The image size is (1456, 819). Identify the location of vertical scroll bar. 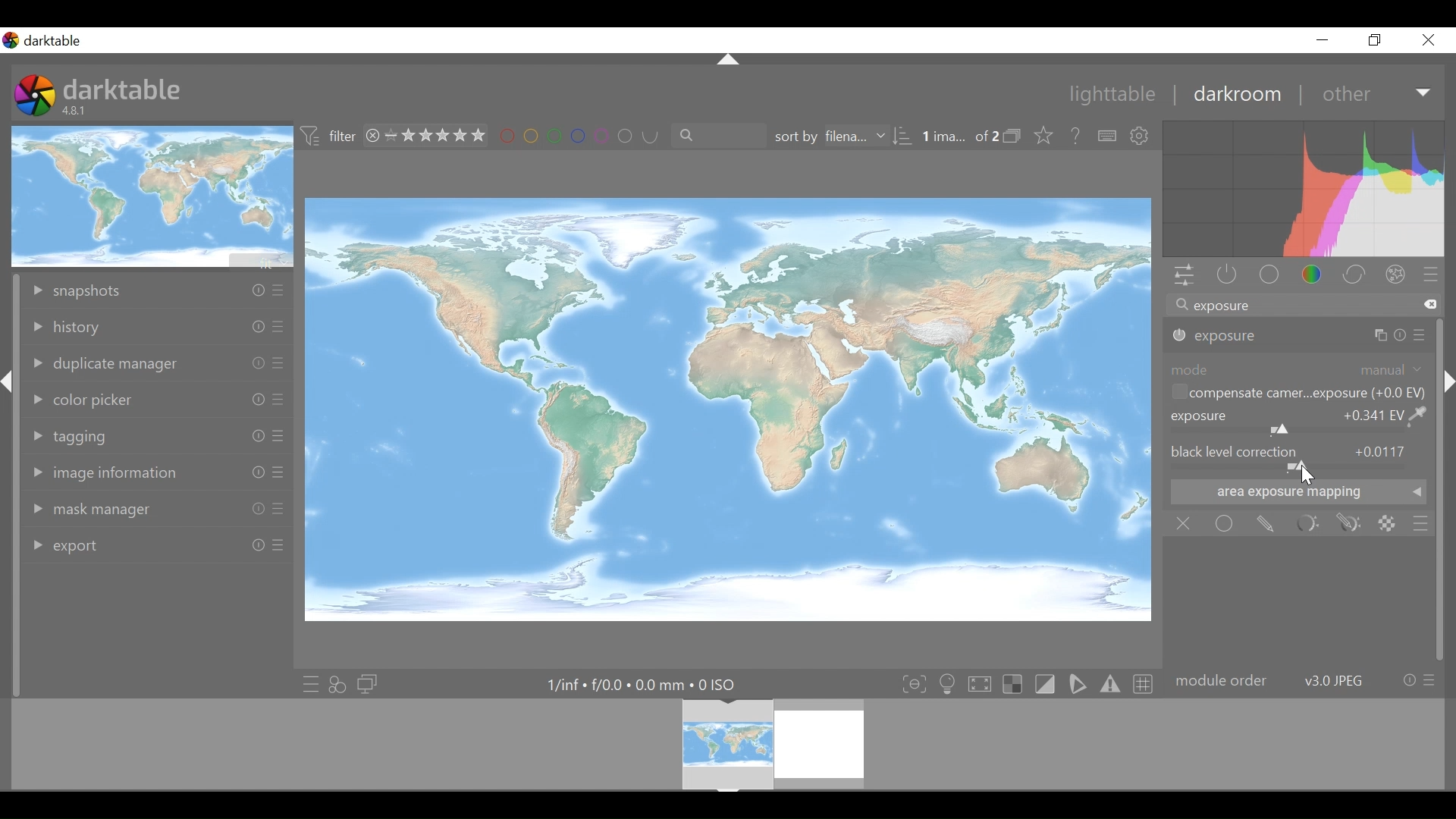
(1442, 524).